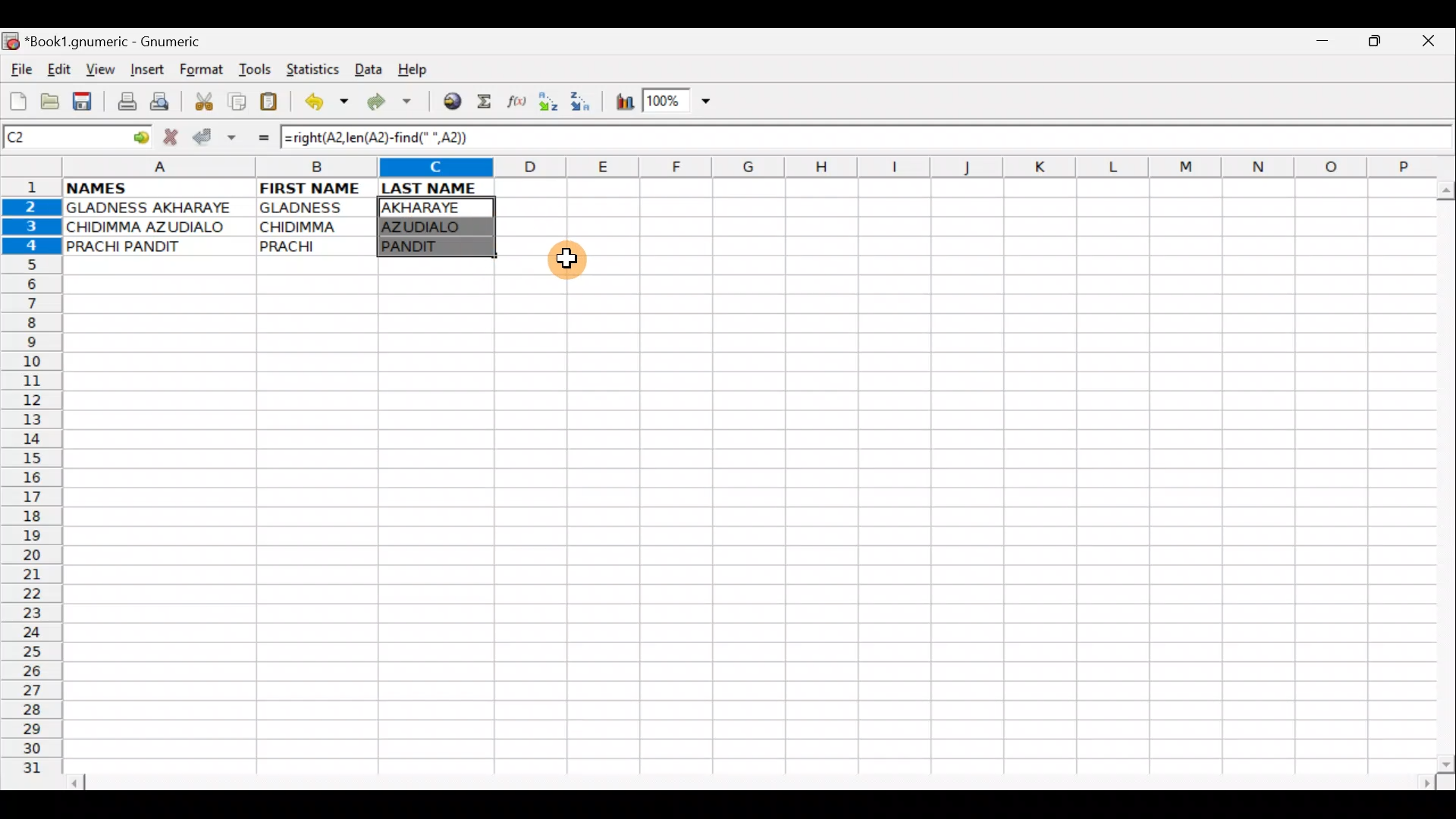 The height and width of the screenshot is (819, 1456). Describe the element at coordinates (53, 99) in the screenshot. I see `Open a file` at that location.